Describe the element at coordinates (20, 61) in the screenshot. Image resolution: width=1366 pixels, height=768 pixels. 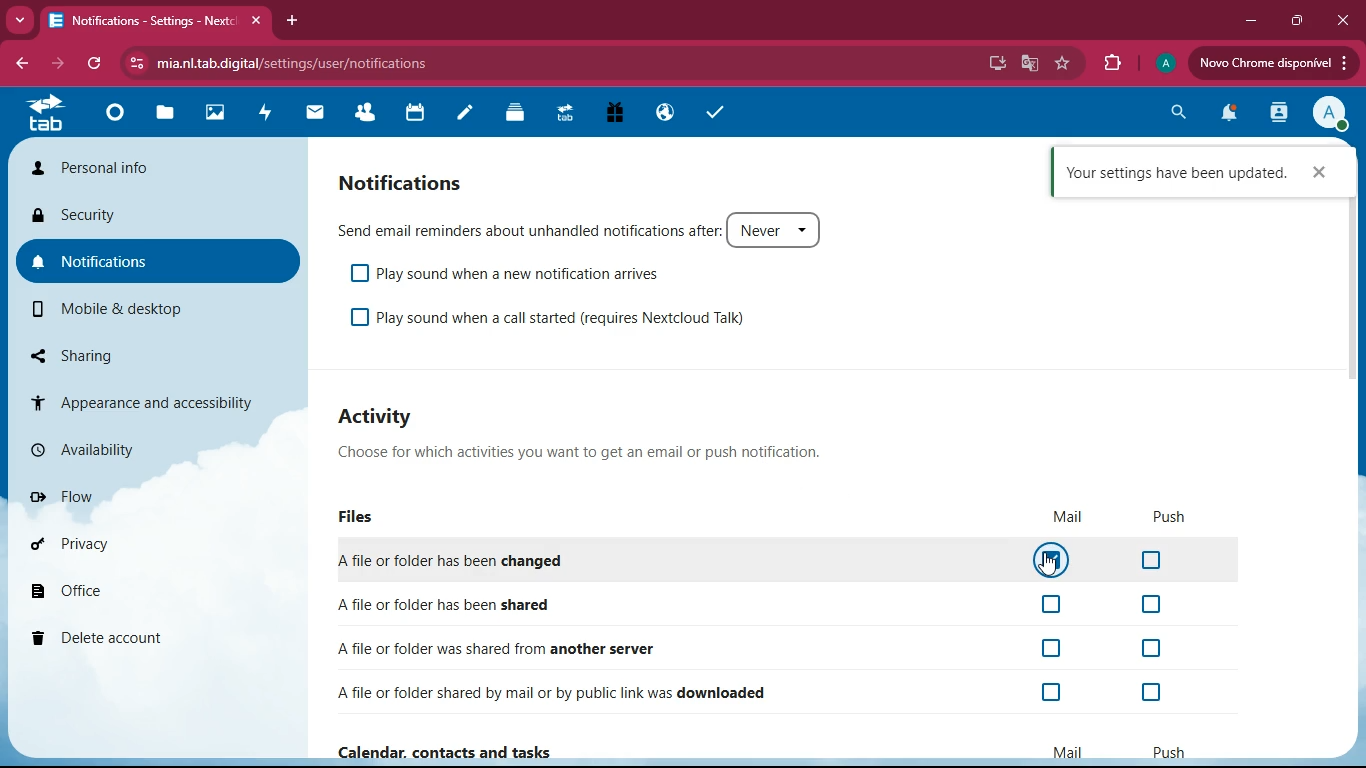
I see `back` at that location.